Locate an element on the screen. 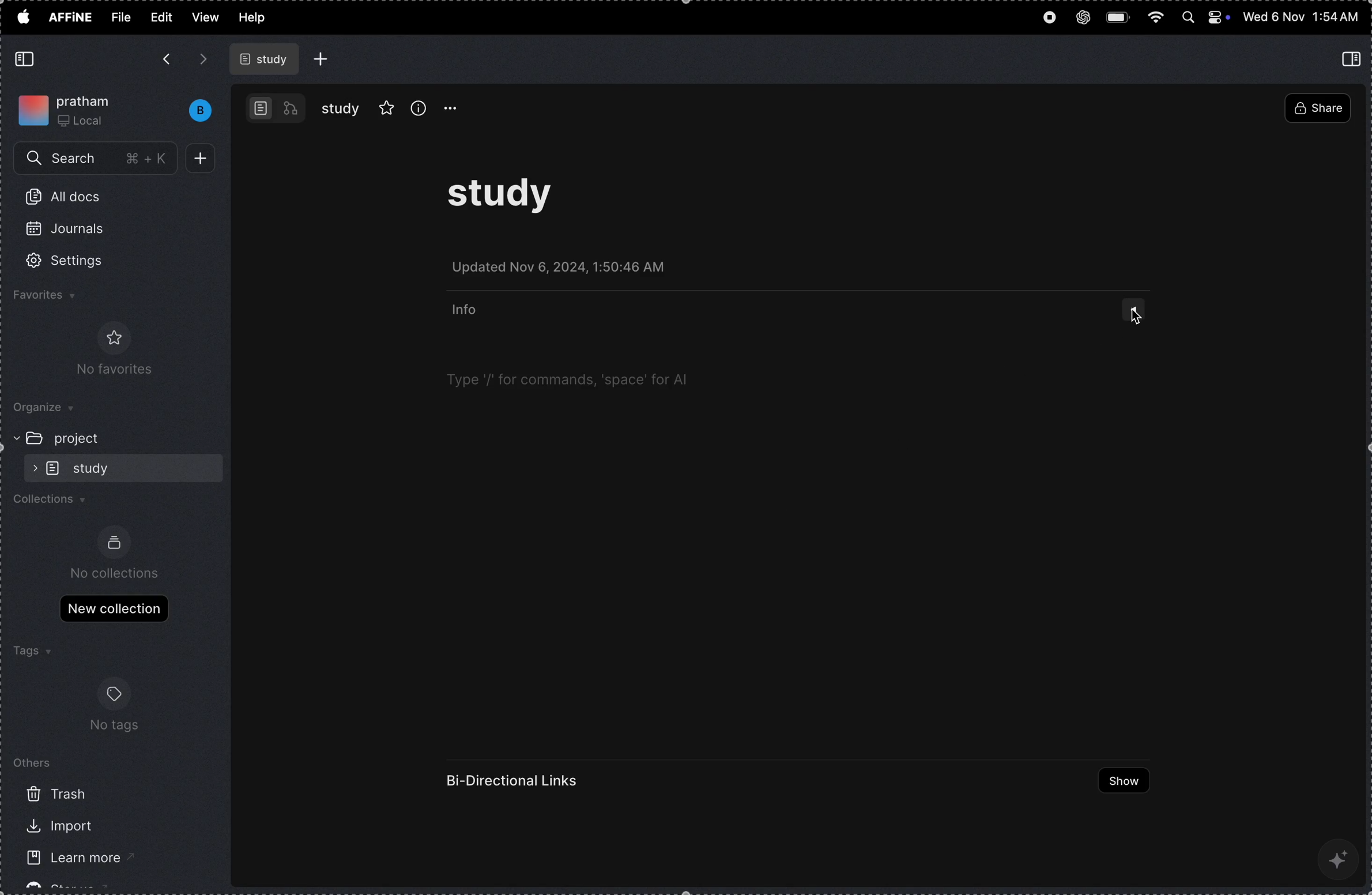  wifi is located at coordinates (1156, 18).